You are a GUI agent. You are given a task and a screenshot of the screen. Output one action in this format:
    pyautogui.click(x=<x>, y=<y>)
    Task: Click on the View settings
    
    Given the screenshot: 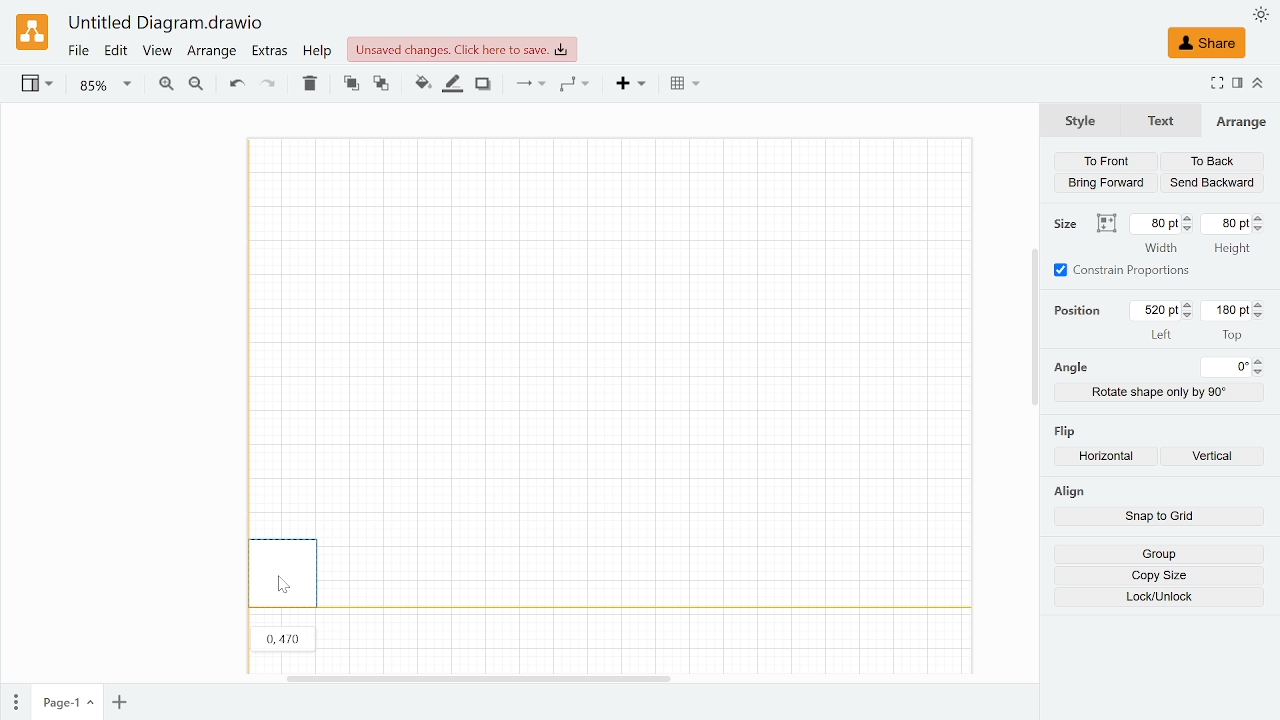 What is the action you would take?
    pyautogui.click(x=35, y=85)
    